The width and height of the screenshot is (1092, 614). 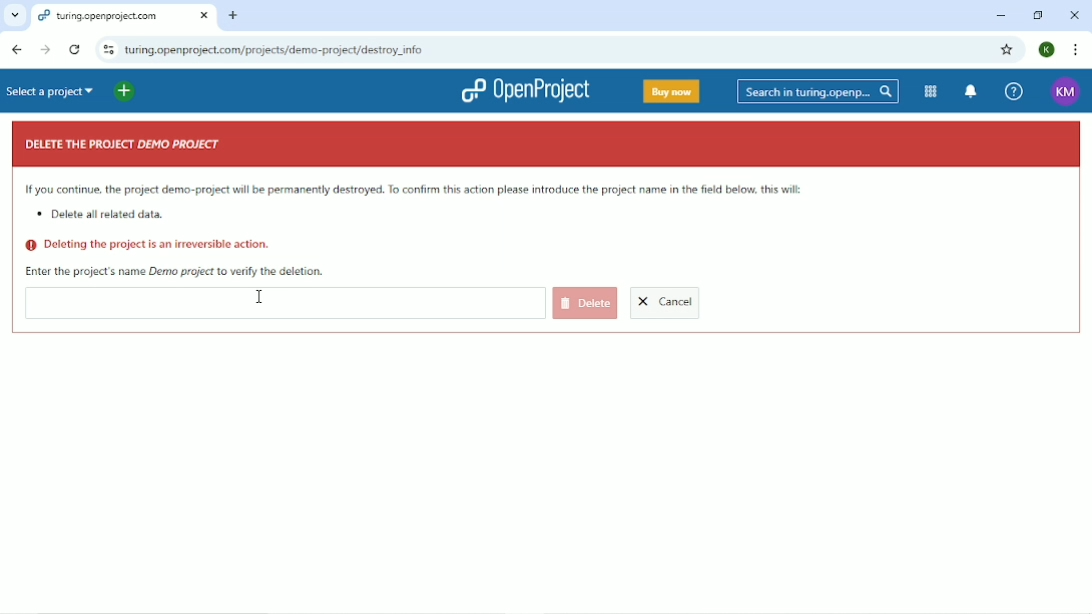 What do you see at coordinates (15, 49) in the screenshot?
I see `Back` at bounding box center [15, 49].